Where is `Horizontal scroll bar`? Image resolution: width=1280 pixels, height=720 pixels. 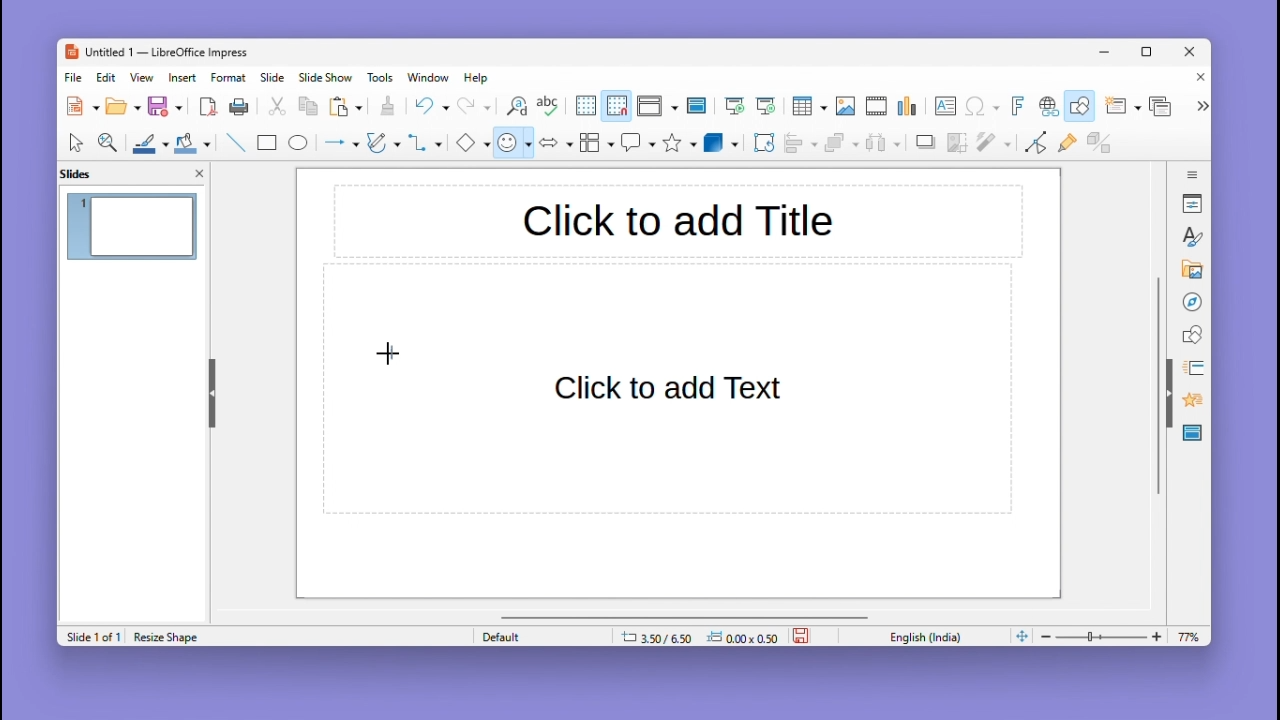
Horizontal scroll bar is located at coordinates (685, 616).